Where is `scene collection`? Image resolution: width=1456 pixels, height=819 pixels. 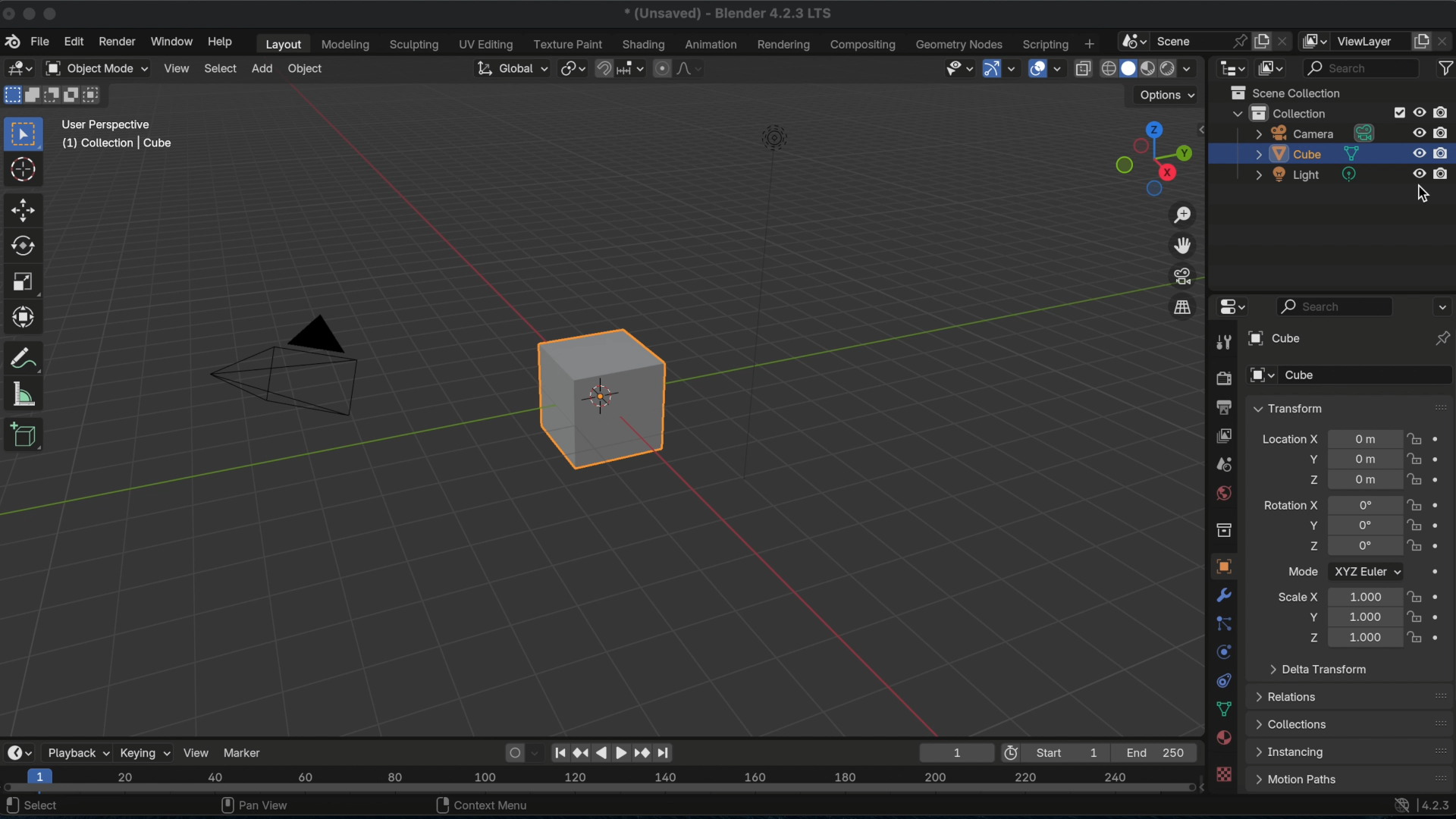
scene collection is located at coordinates (1285, 91).